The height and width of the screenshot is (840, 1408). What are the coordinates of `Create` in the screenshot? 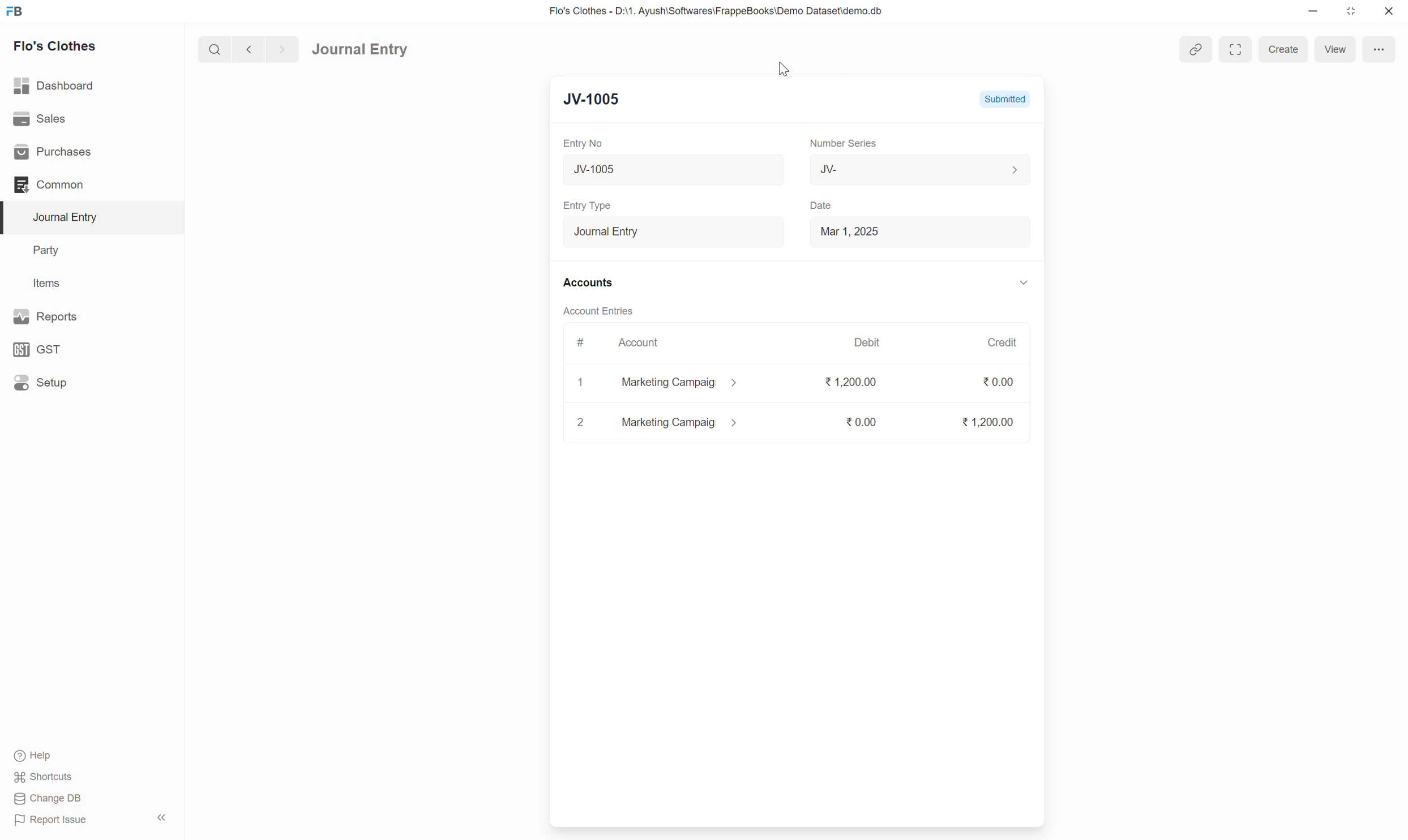 It's located at (1283, 50).